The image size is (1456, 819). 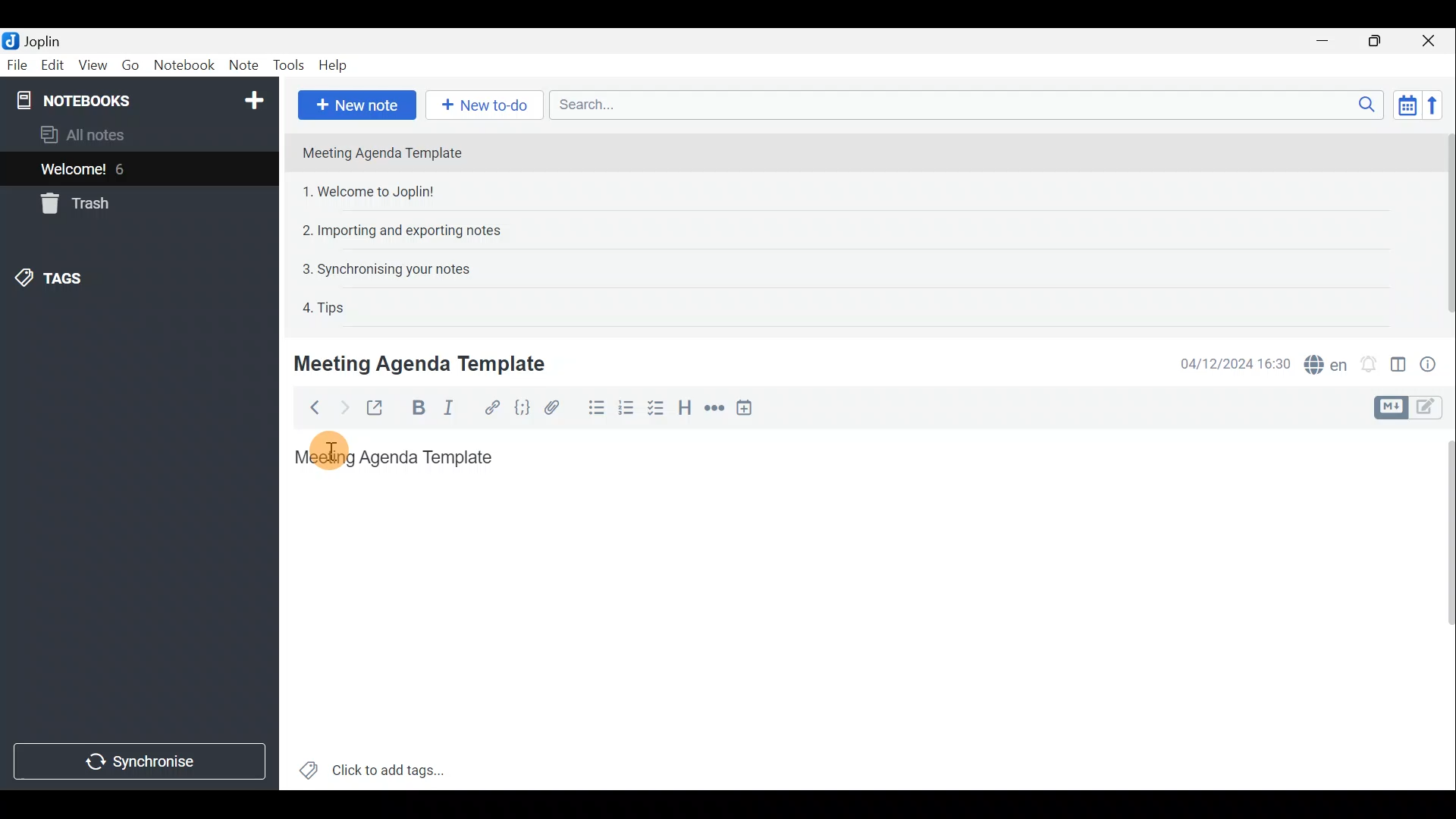 I want to click on Notebook, so click(x=184, y=64).